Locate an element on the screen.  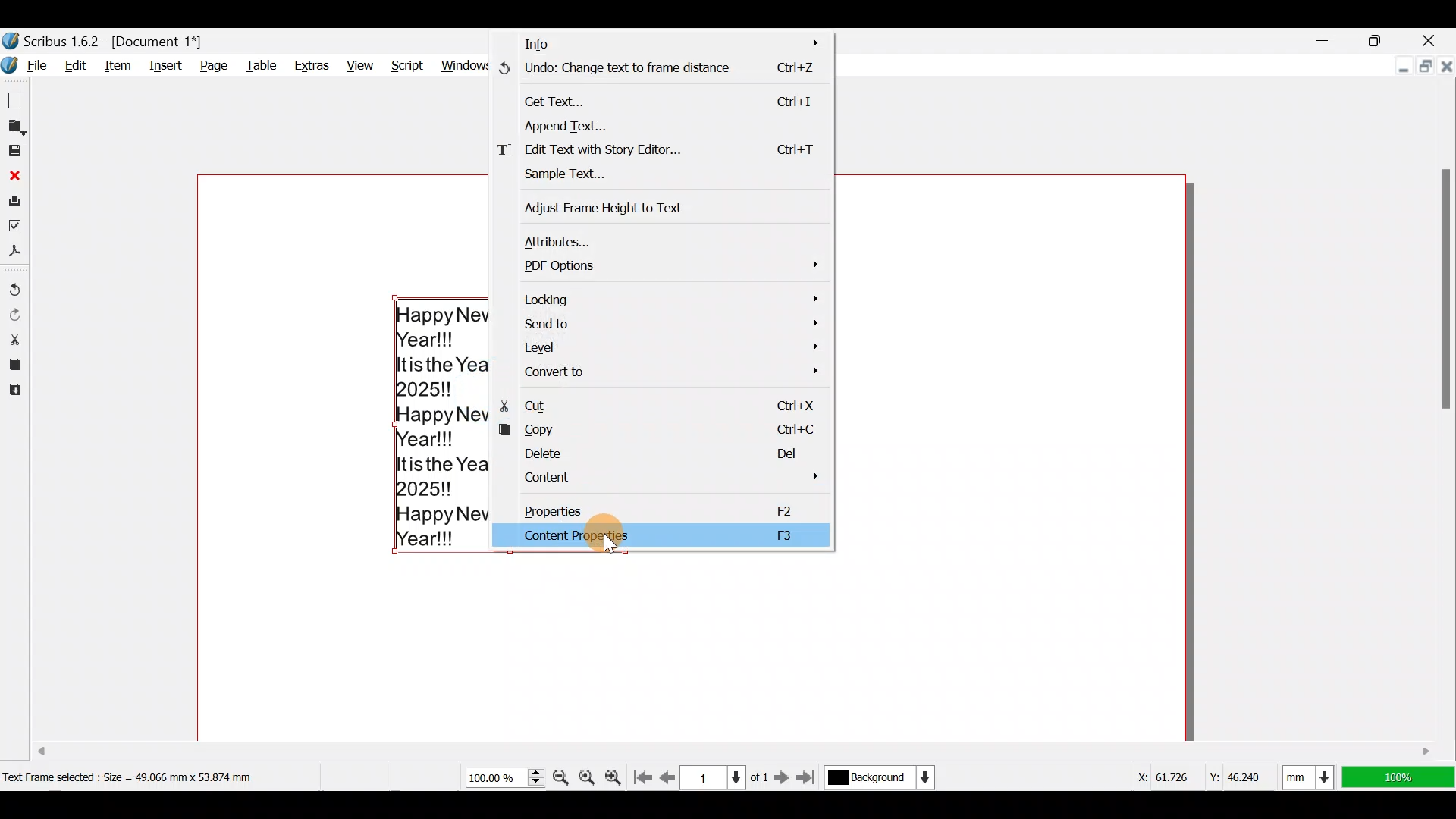
Close is located at coordinates (1445, 65).